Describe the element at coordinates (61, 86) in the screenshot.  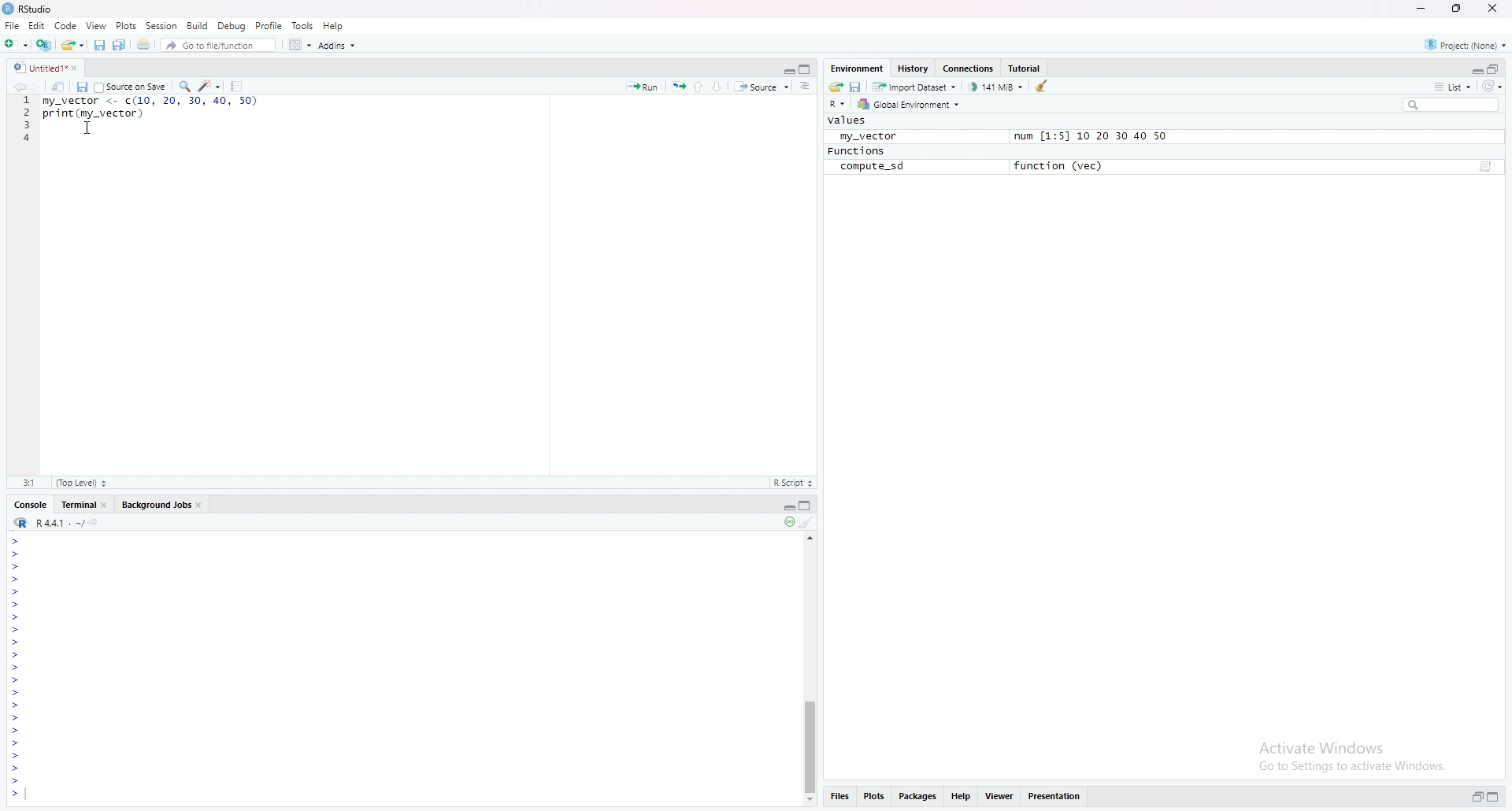
I see `Show in new window` at that location.